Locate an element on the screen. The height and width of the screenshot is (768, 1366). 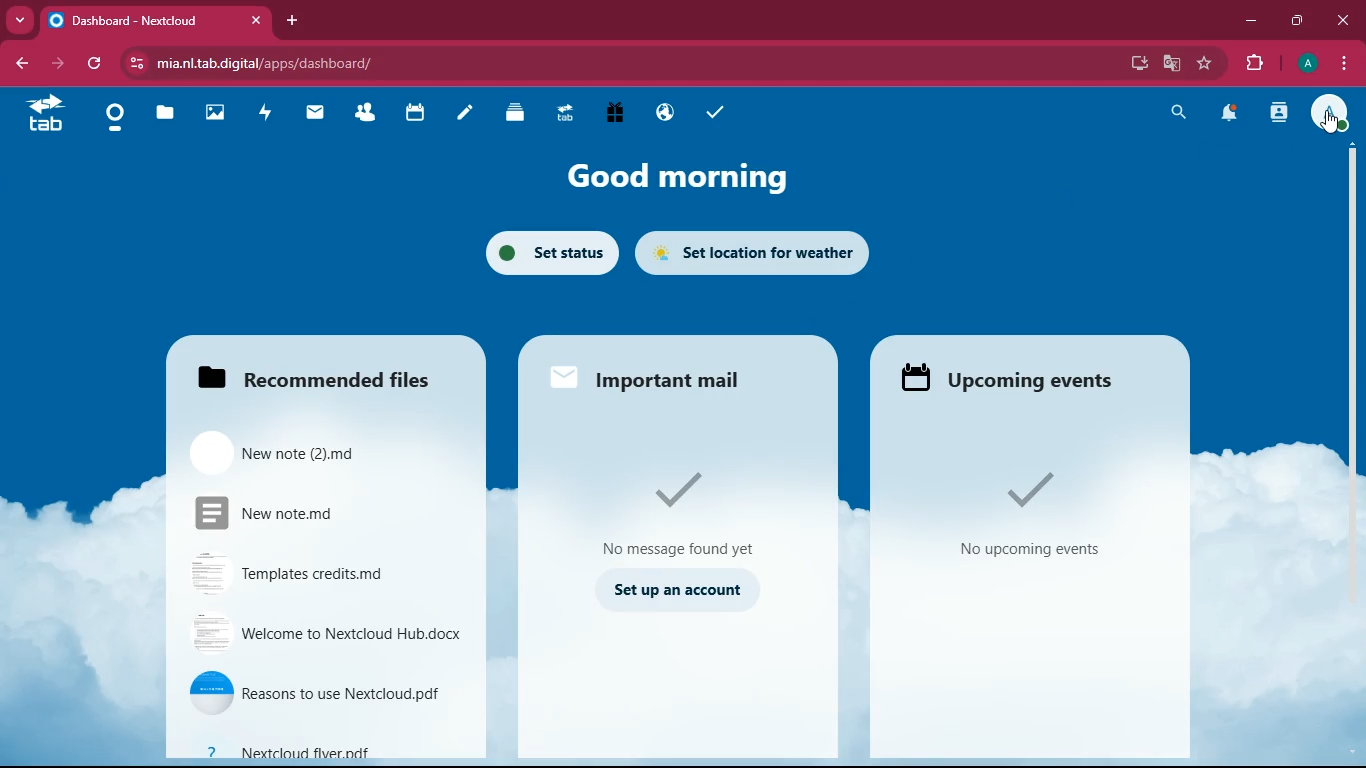
file is located at coordinates (298, 452).